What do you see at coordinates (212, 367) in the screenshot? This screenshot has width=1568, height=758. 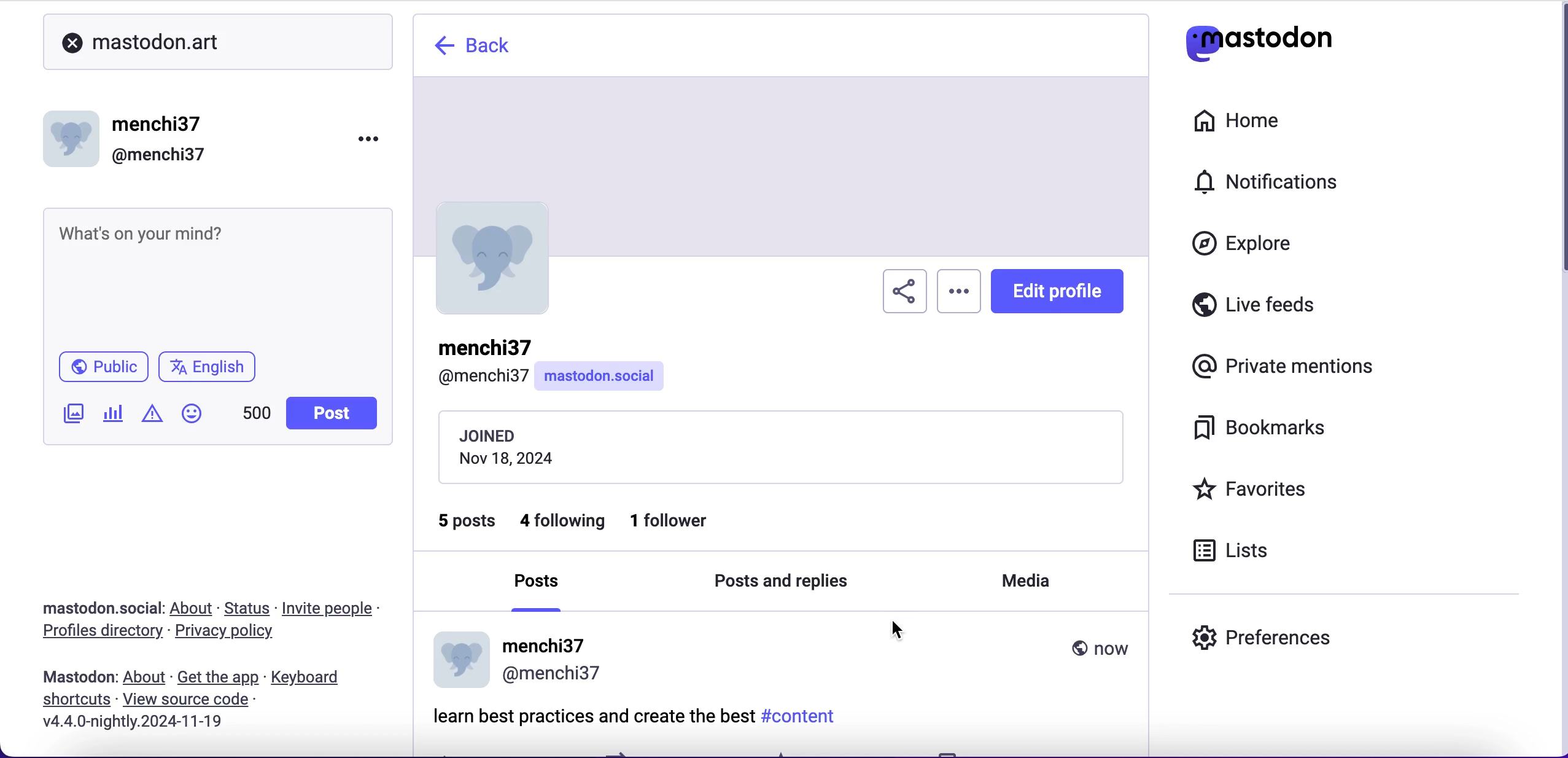 I see `english` at bounding box center [212, 367].